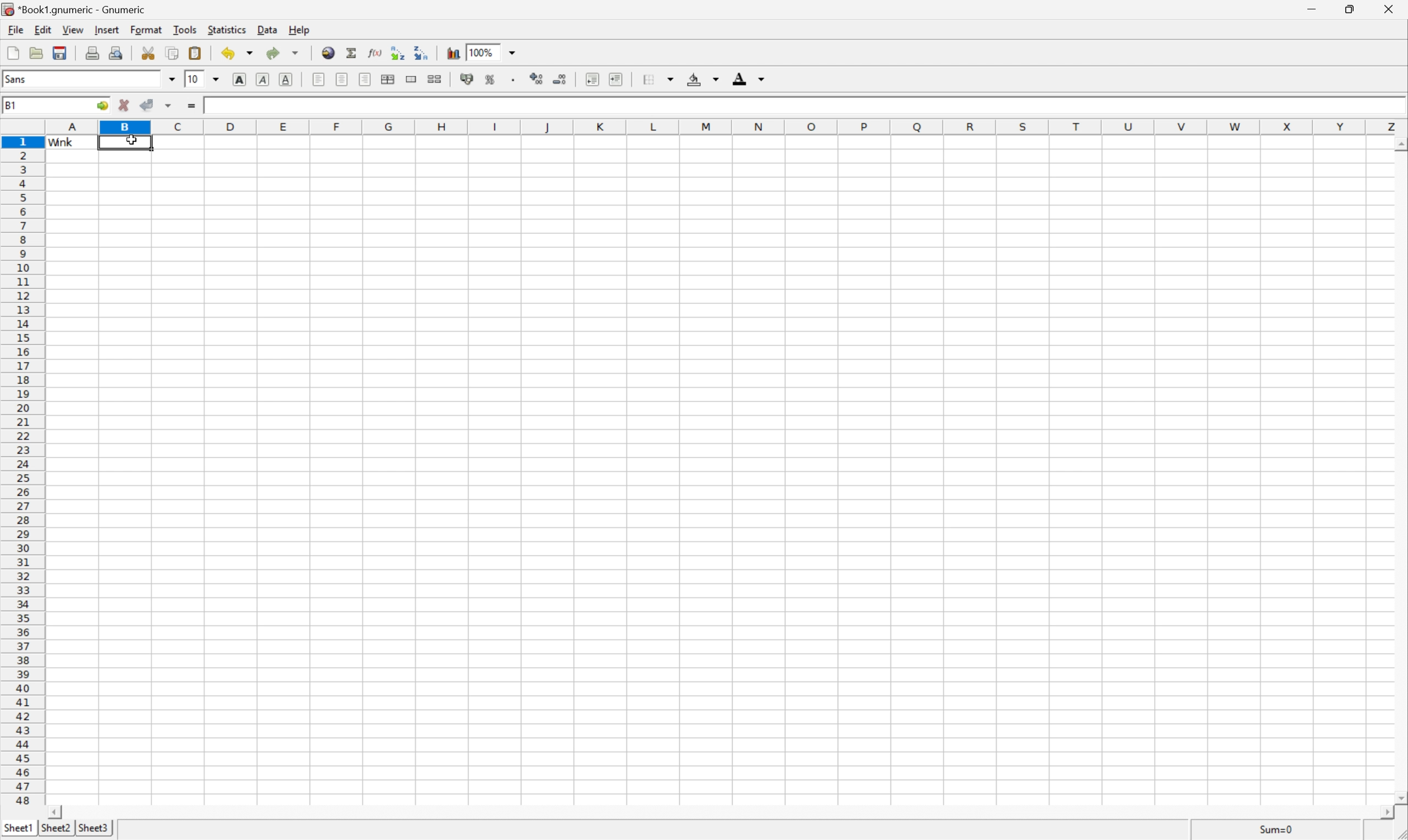 Image resolution: width=1408 pixels, height=840 pixels. Describe the element at coordinates (483, 52) in the screenshot. I see `100%` at that location.